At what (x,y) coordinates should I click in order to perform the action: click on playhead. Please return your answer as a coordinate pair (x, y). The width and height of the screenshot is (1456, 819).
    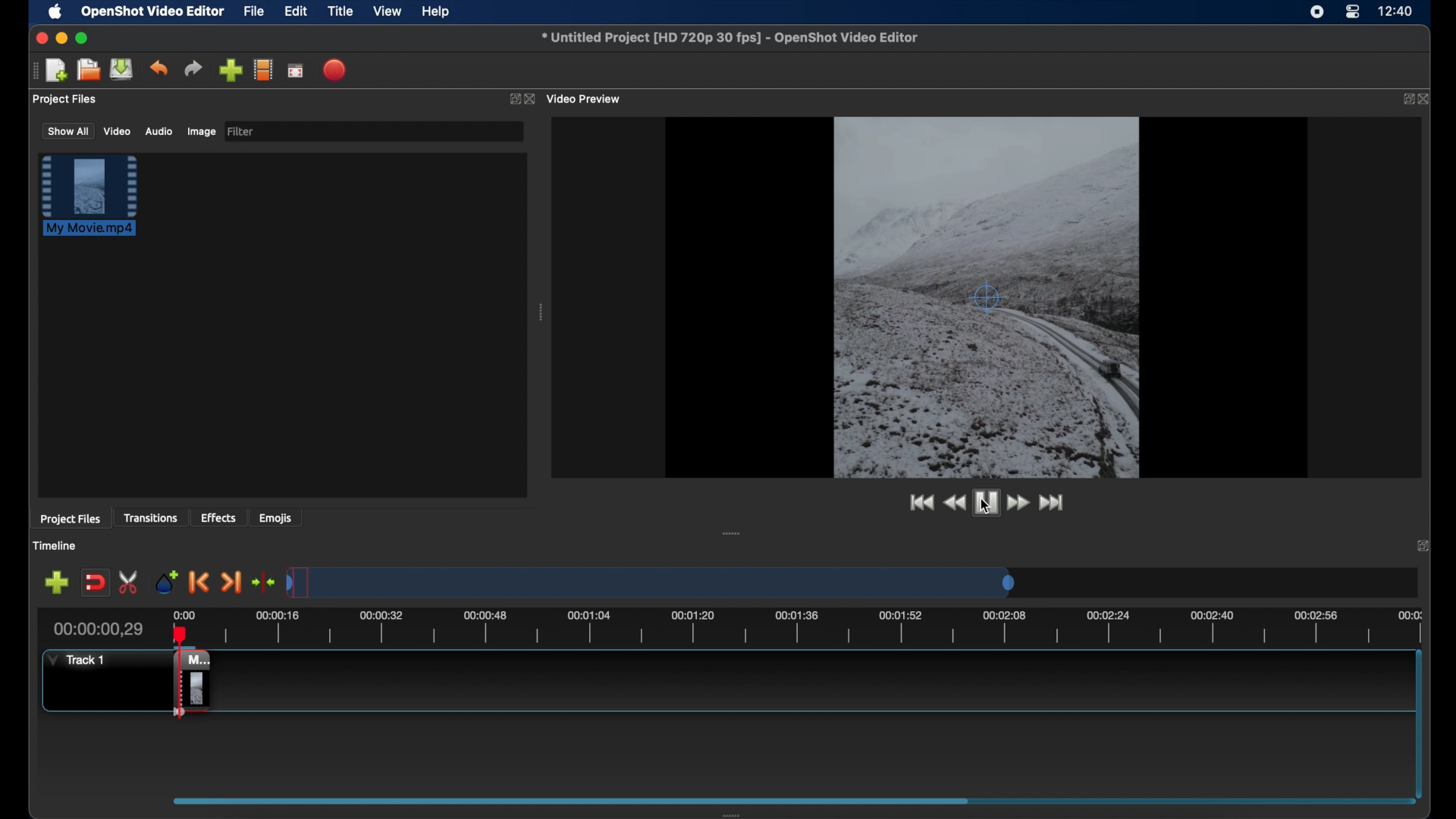
    Looking at the image, I should click on (176, 631).